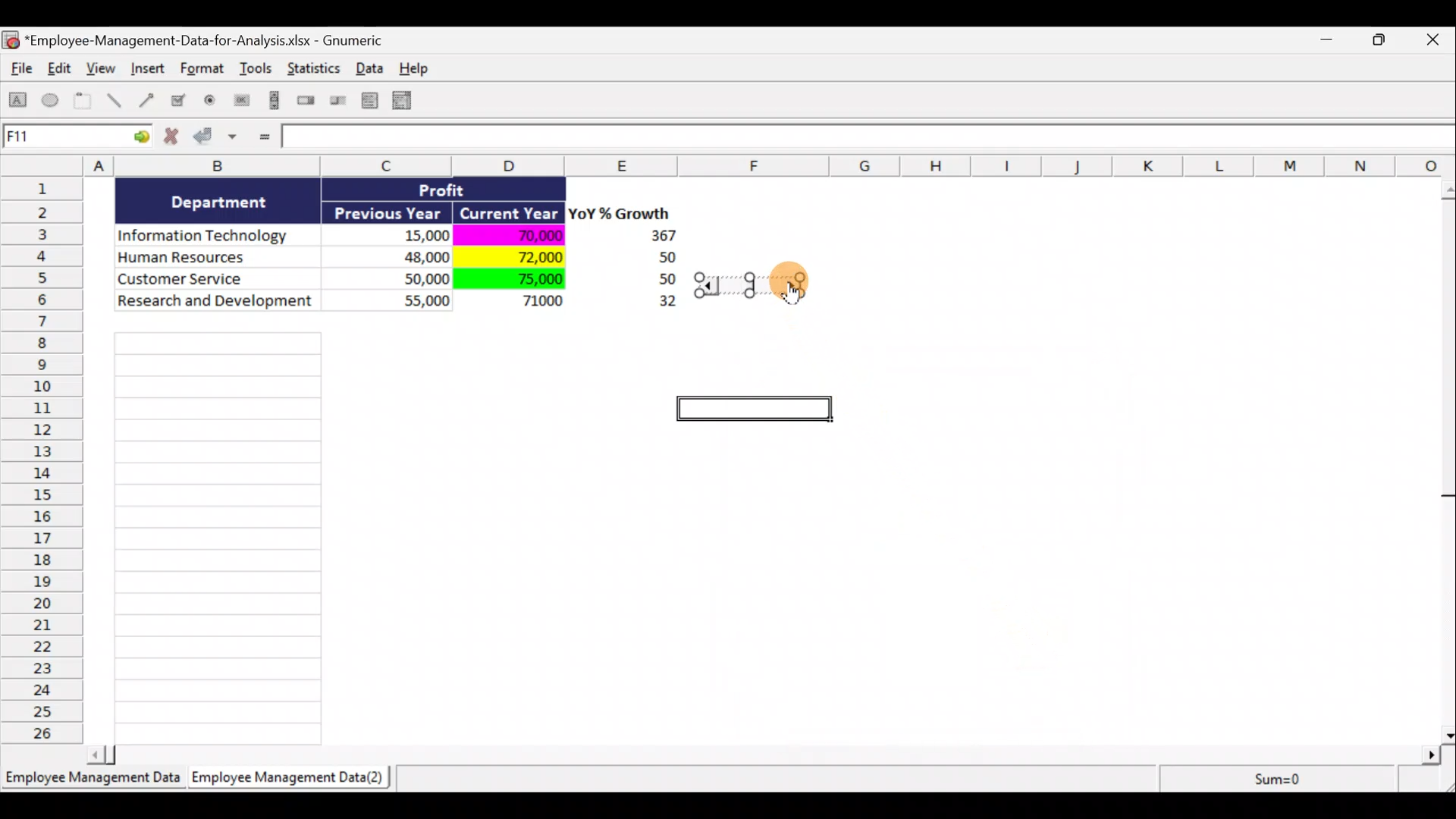  Describe the element at coordinates (374, 67) in the screenshot. I see `Data` at that location.